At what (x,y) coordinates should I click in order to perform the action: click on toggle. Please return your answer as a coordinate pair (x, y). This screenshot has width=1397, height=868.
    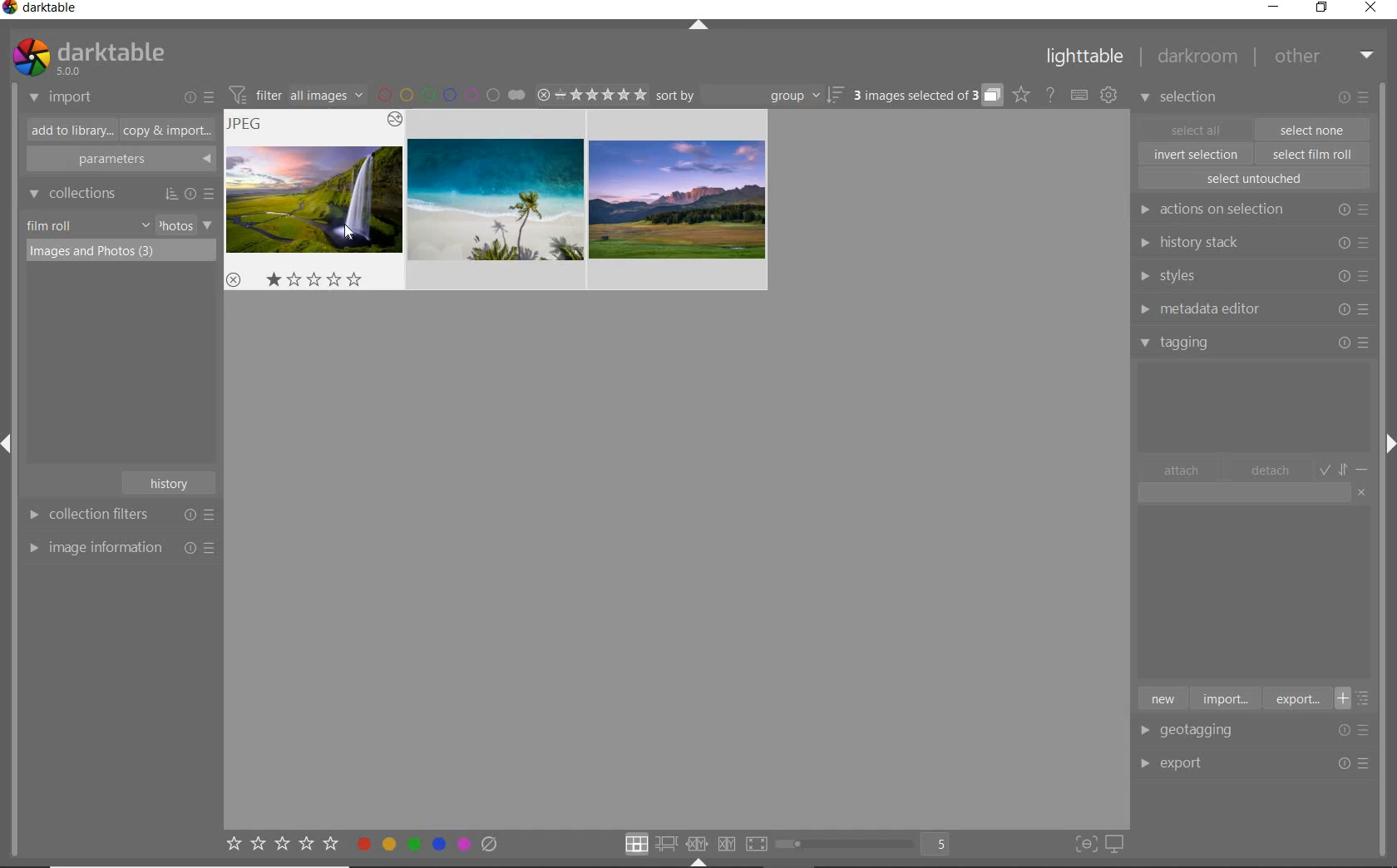
    Looking at the image, I should click on (1345, 468).